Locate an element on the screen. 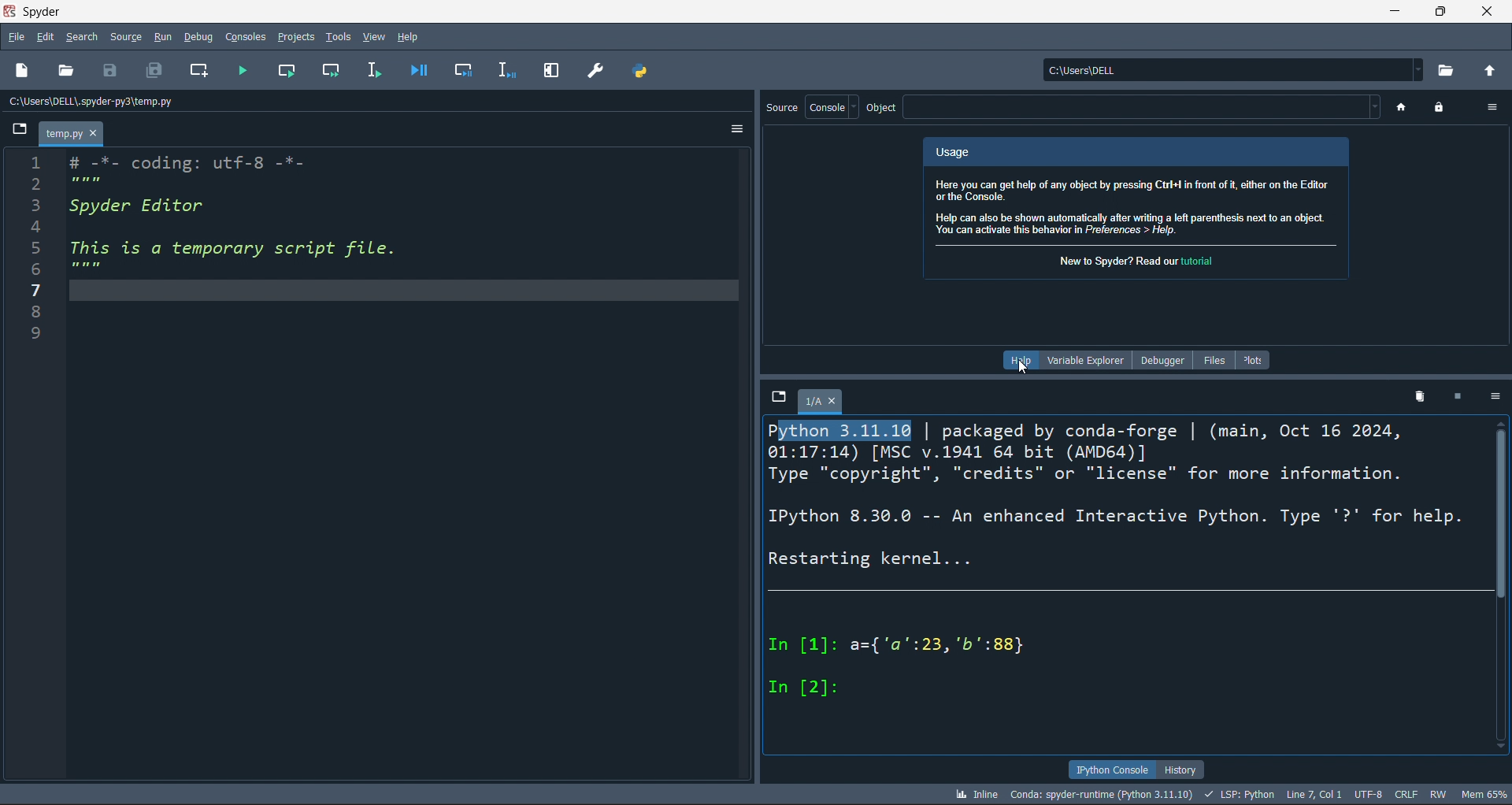 This screenshot has width=1512, height=805. debug line is located at coordinates (508, 72).